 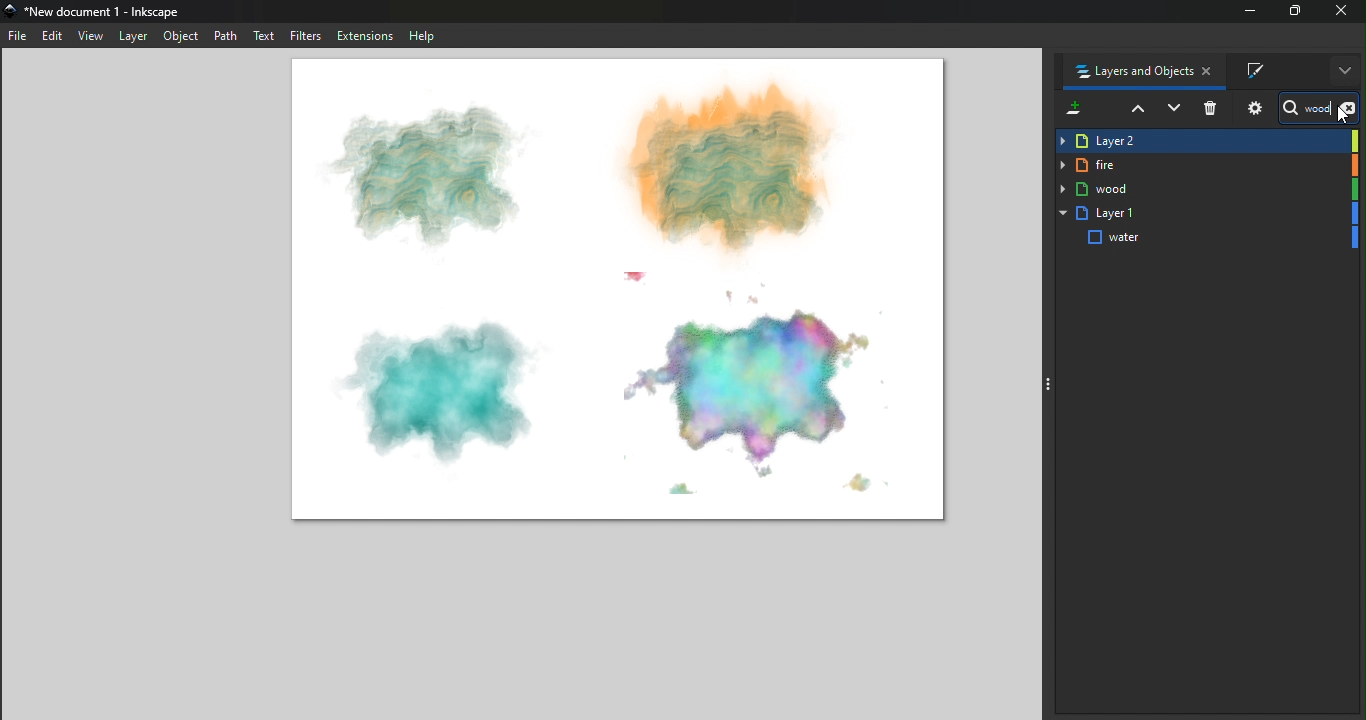 I want to click on wood Layer, so click(x=1206, y=189).